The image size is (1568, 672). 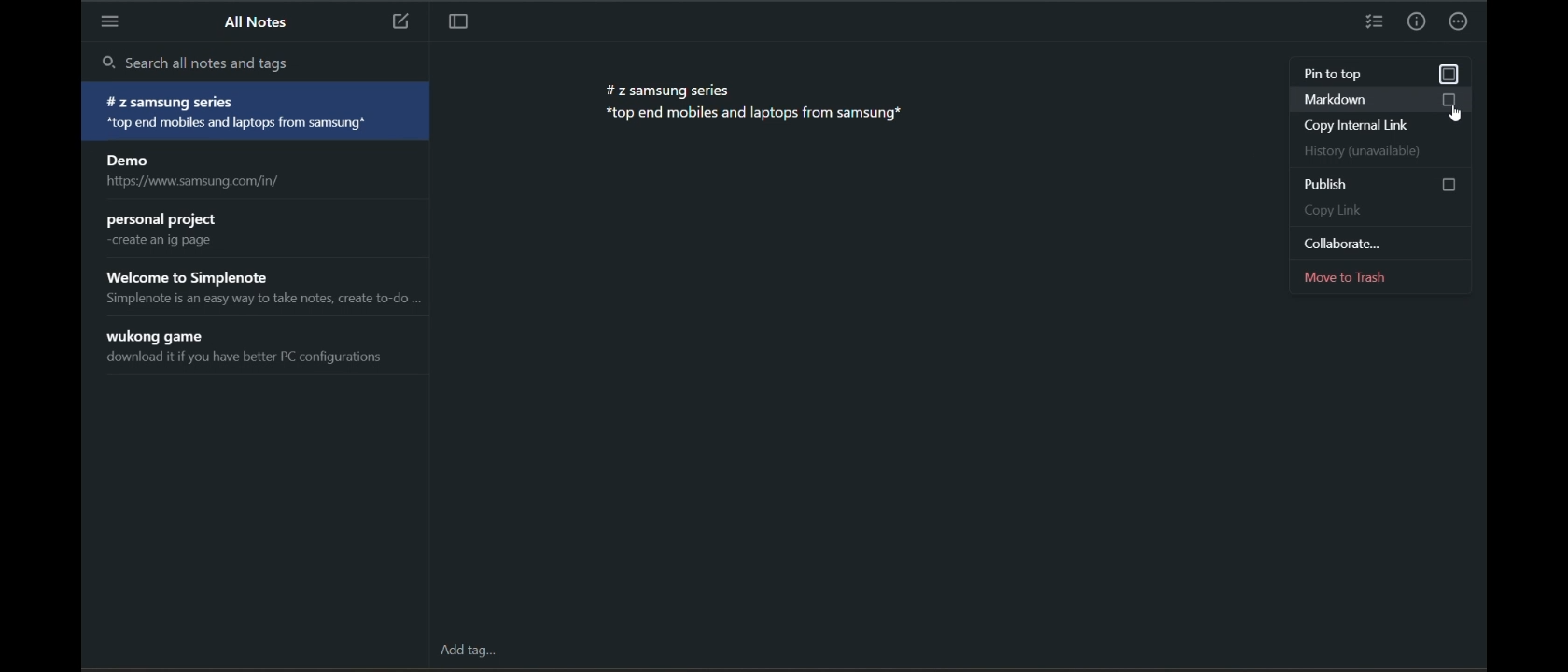 I want to click on copy internal link, so click(x=1379, y=126).